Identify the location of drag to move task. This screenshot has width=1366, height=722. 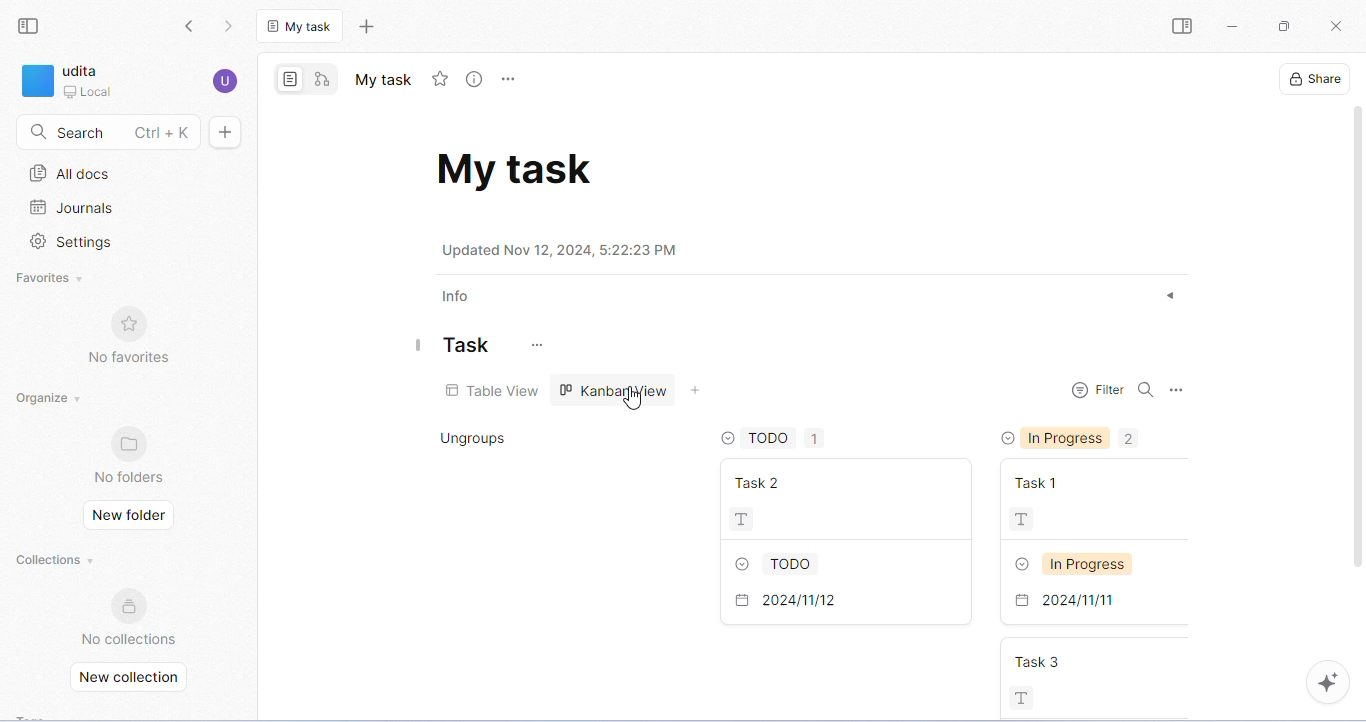
(420, 349).